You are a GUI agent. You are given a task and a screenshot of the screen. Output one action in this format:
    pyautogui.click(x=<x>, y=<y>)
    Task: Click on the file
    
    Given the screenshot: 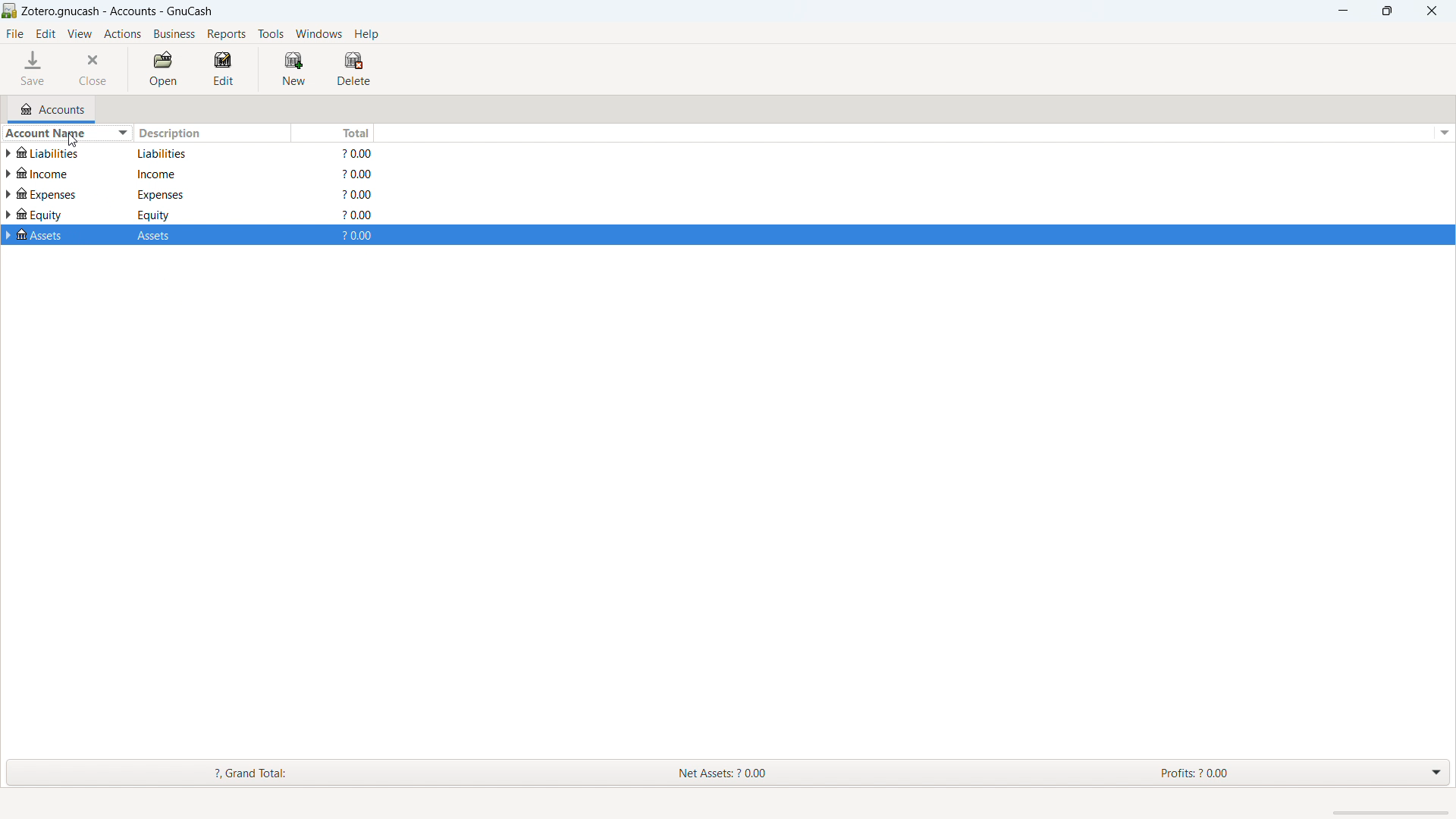 What is the action you would take?
    pyautogui.click(x=16, y=34)
    